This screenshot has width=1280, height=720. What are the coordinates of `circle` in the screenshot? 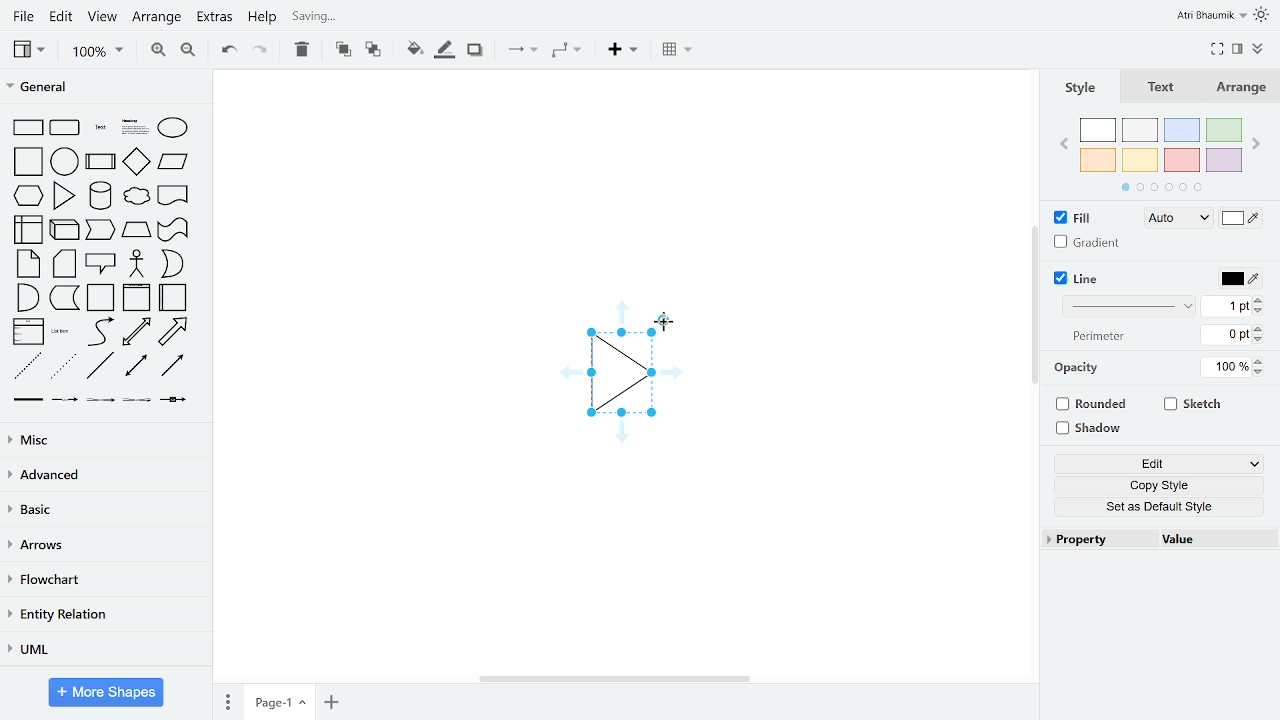 It's located at (65, 161).